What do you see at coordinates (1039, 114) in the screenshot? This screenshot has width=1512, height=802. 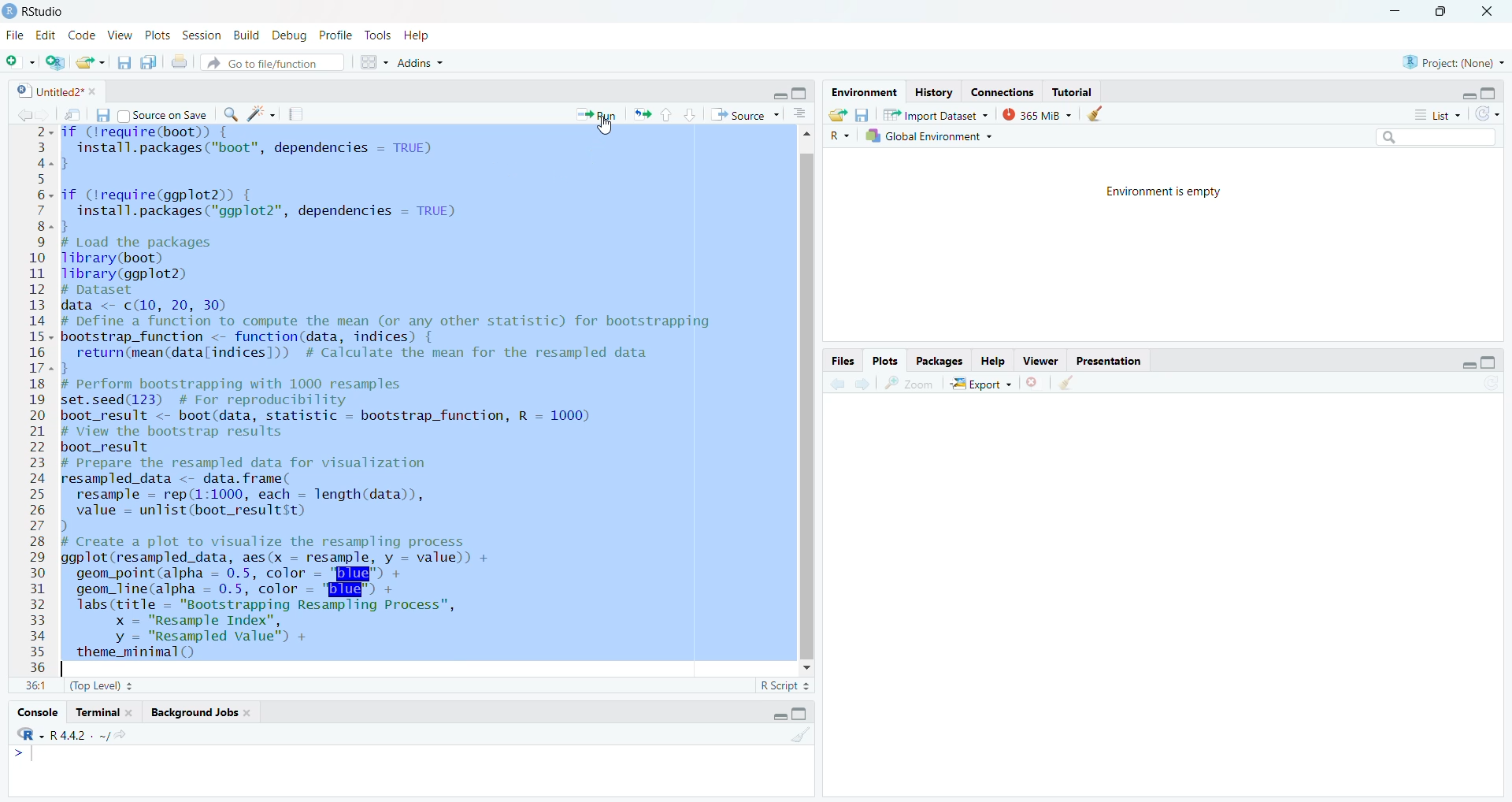 I see `375MiB ~` at bounding box center [1039, 114].